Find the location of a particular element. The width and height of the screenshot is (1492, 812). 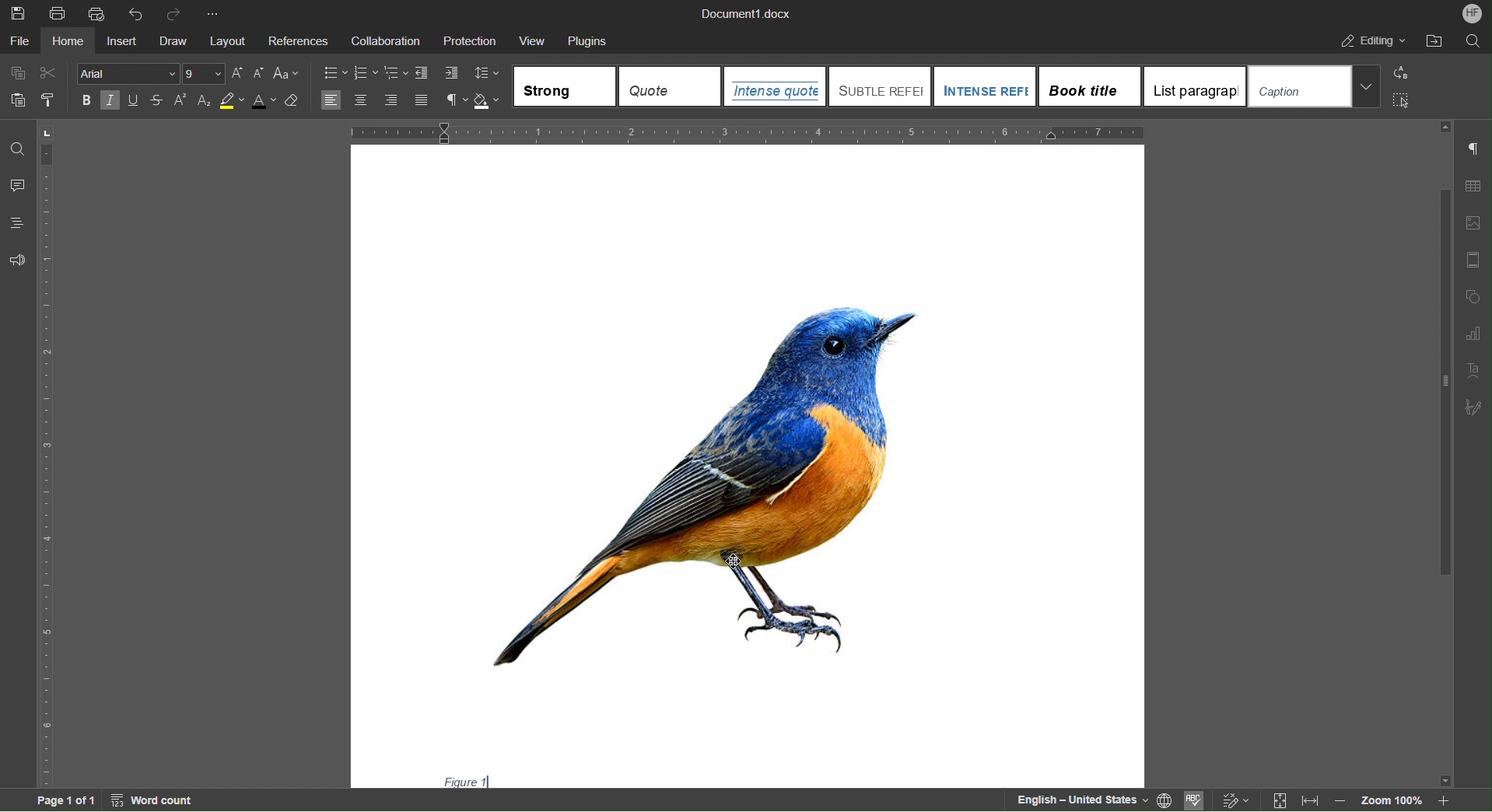

Nested List is located at coordinates (398, 73).